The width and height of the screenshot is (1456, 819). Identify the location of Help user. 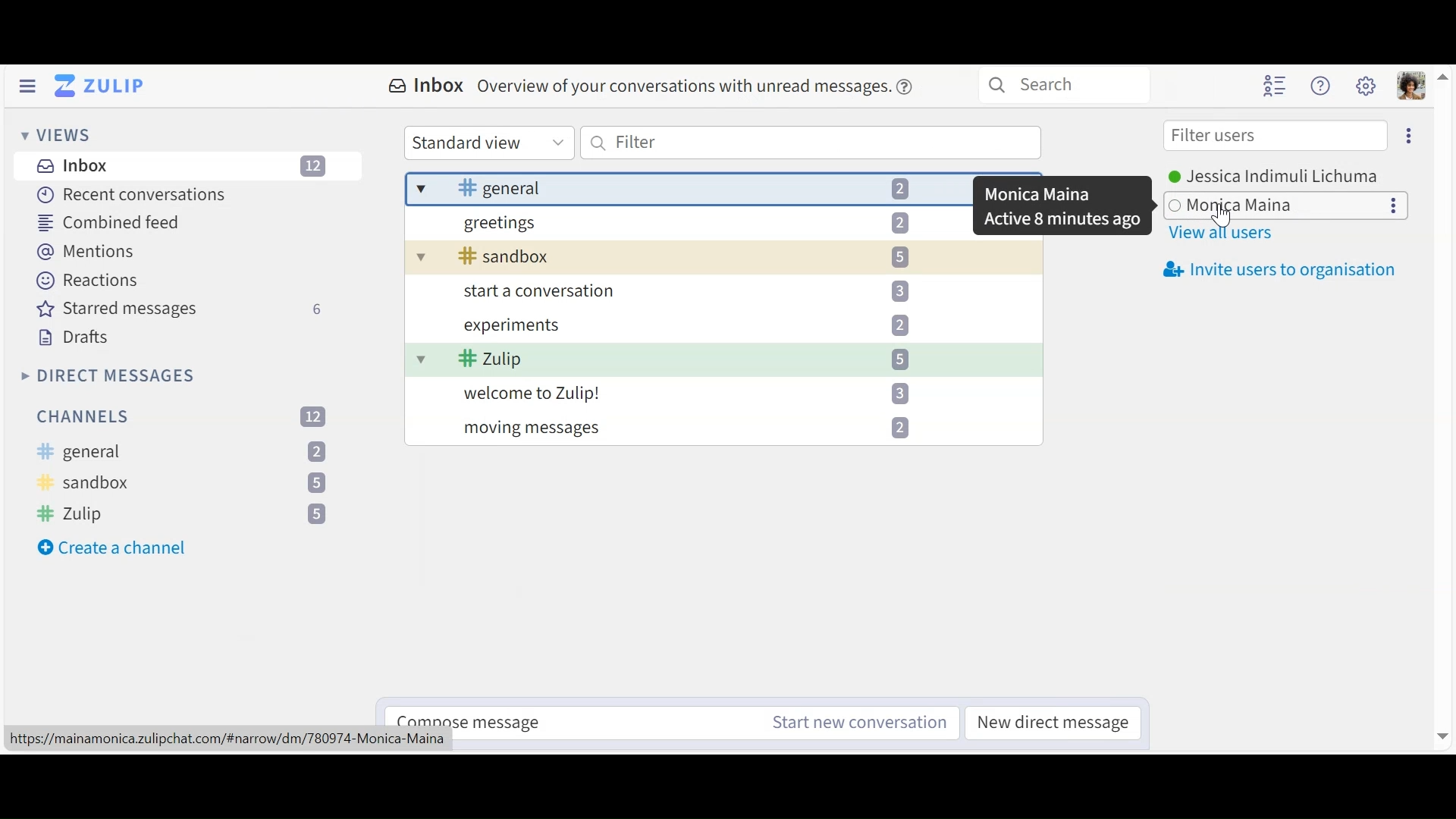
(1321, 85).